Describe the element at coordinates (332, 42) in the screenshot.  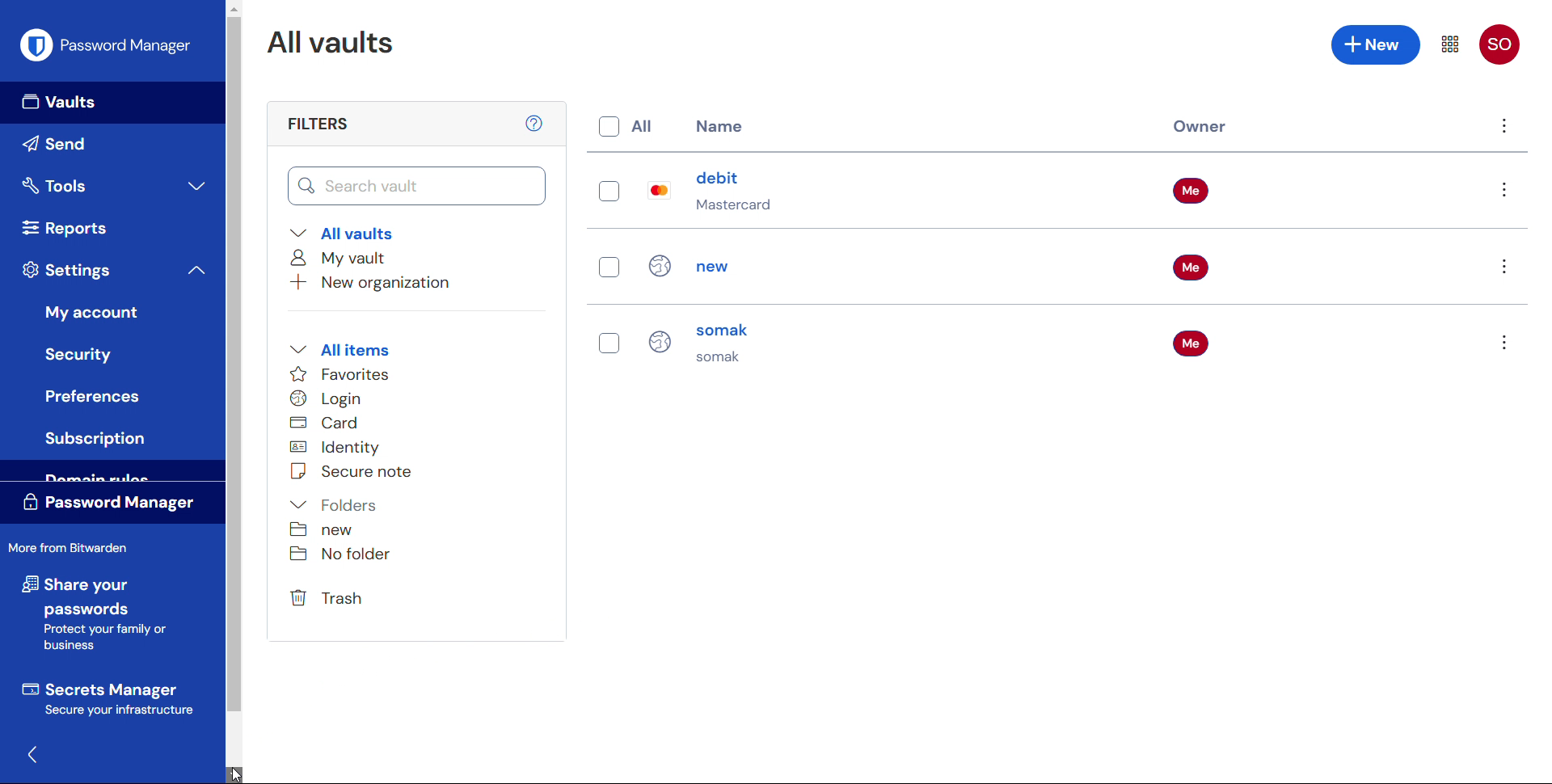
I see `All vaults ` at that location.